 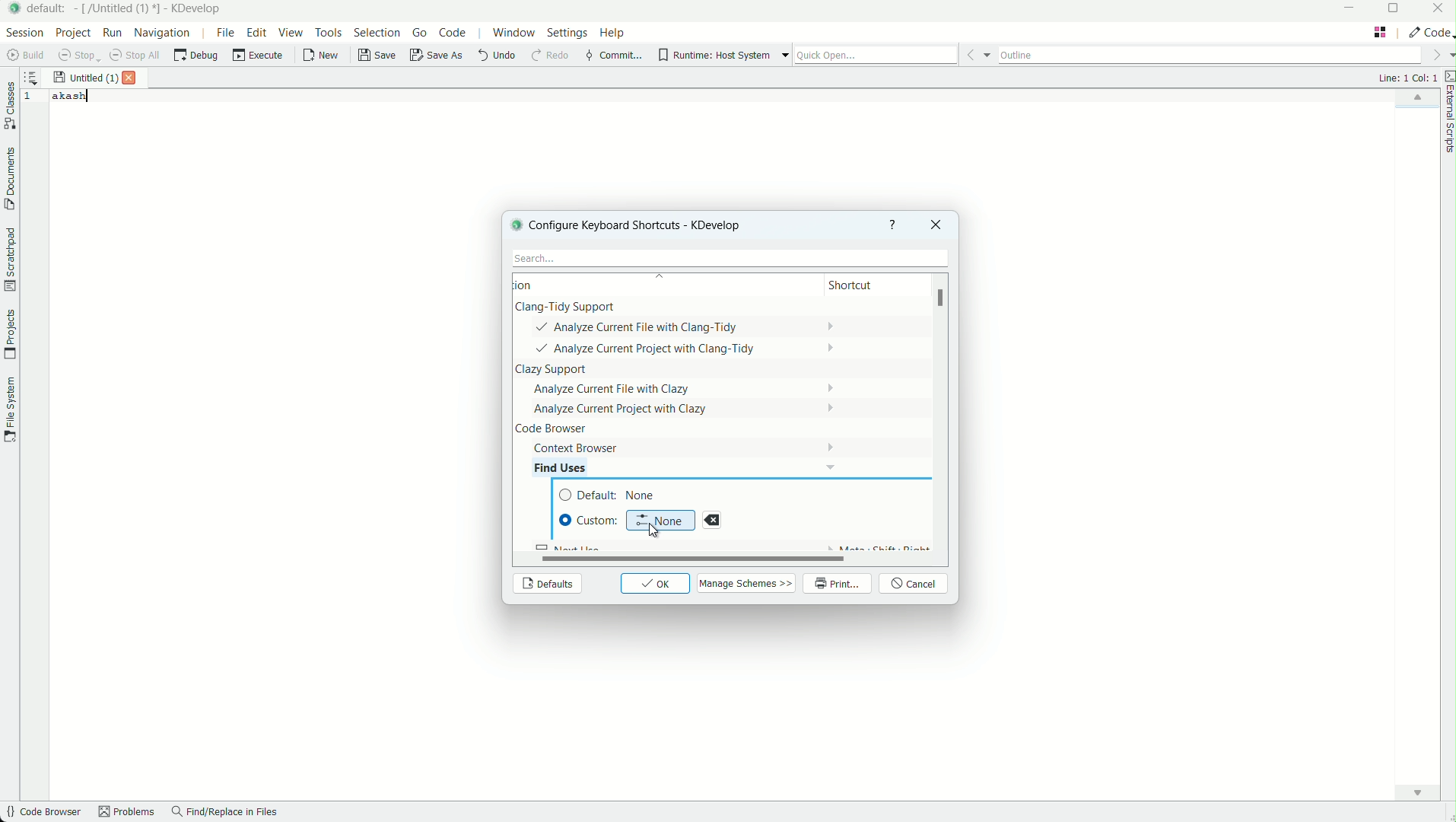 What do you see at coordinates (85, 78) in the screenshot?
I see `file name` at bounding box center [85, 78].